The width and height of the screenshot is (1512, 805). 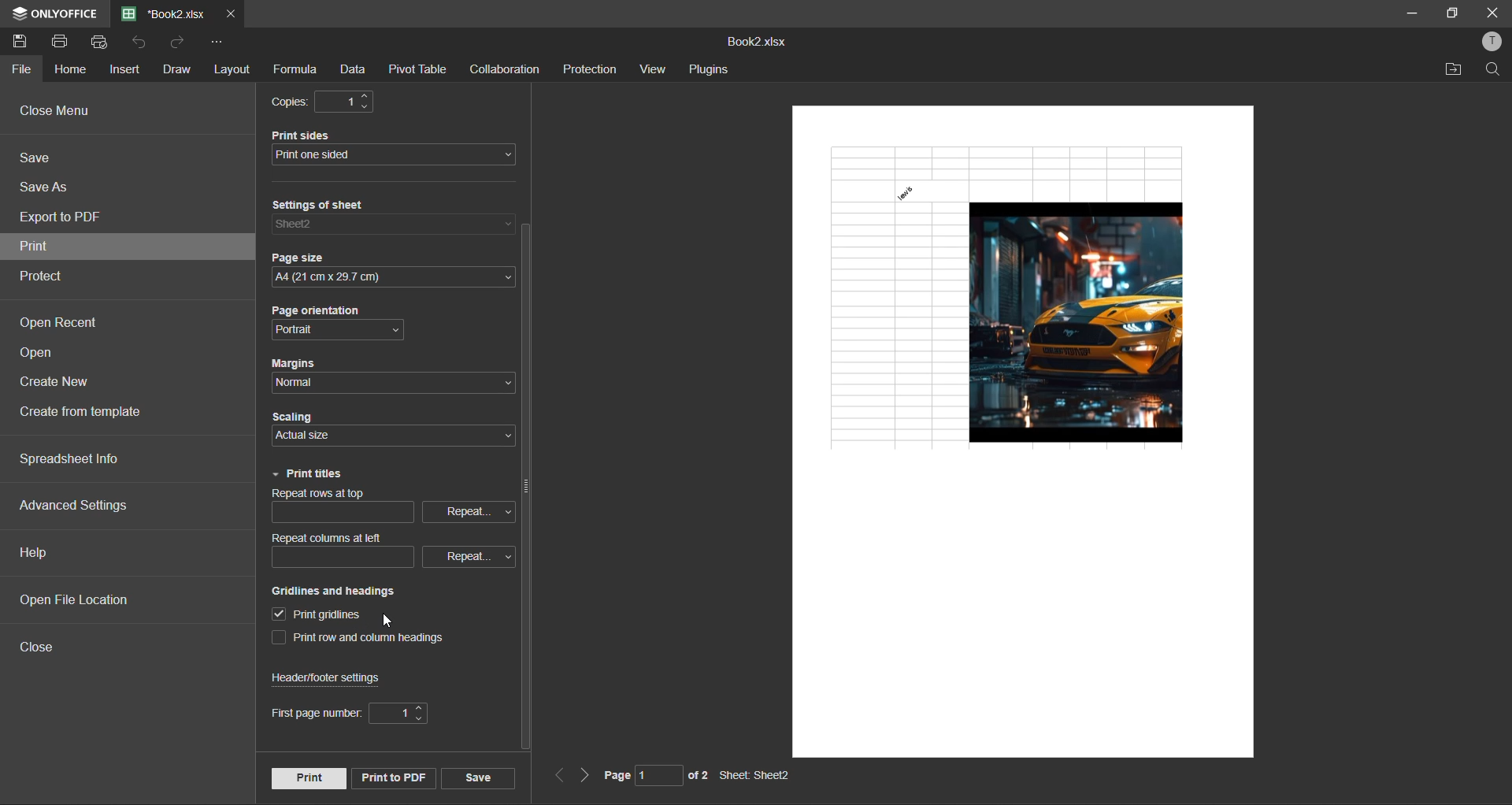 What do you see at coordinates (327, 135) in the screenshot?
I see `print sides` at bounding box center [327, 135].